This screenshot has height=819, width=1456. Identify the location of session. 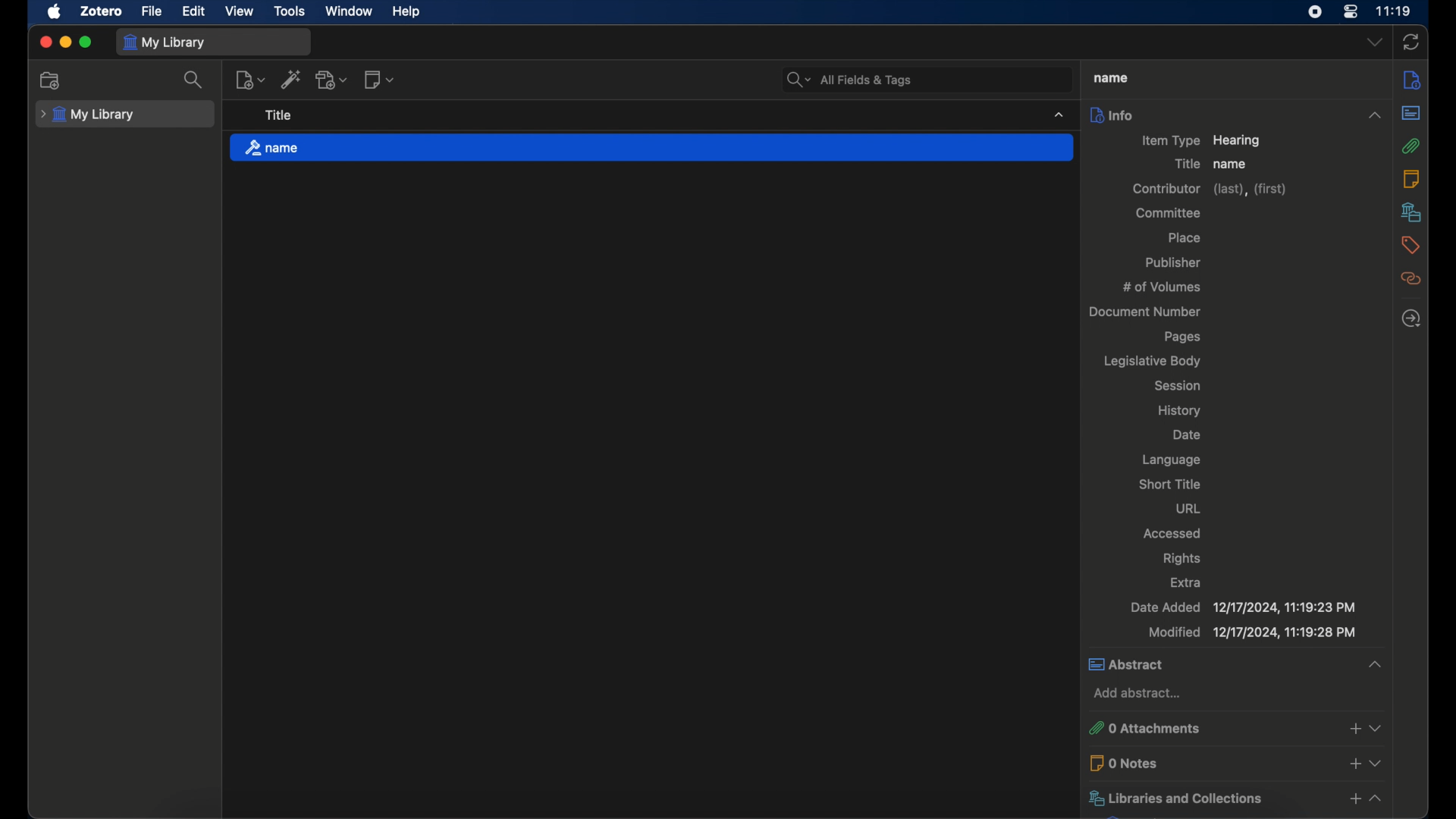
(1178, 385).